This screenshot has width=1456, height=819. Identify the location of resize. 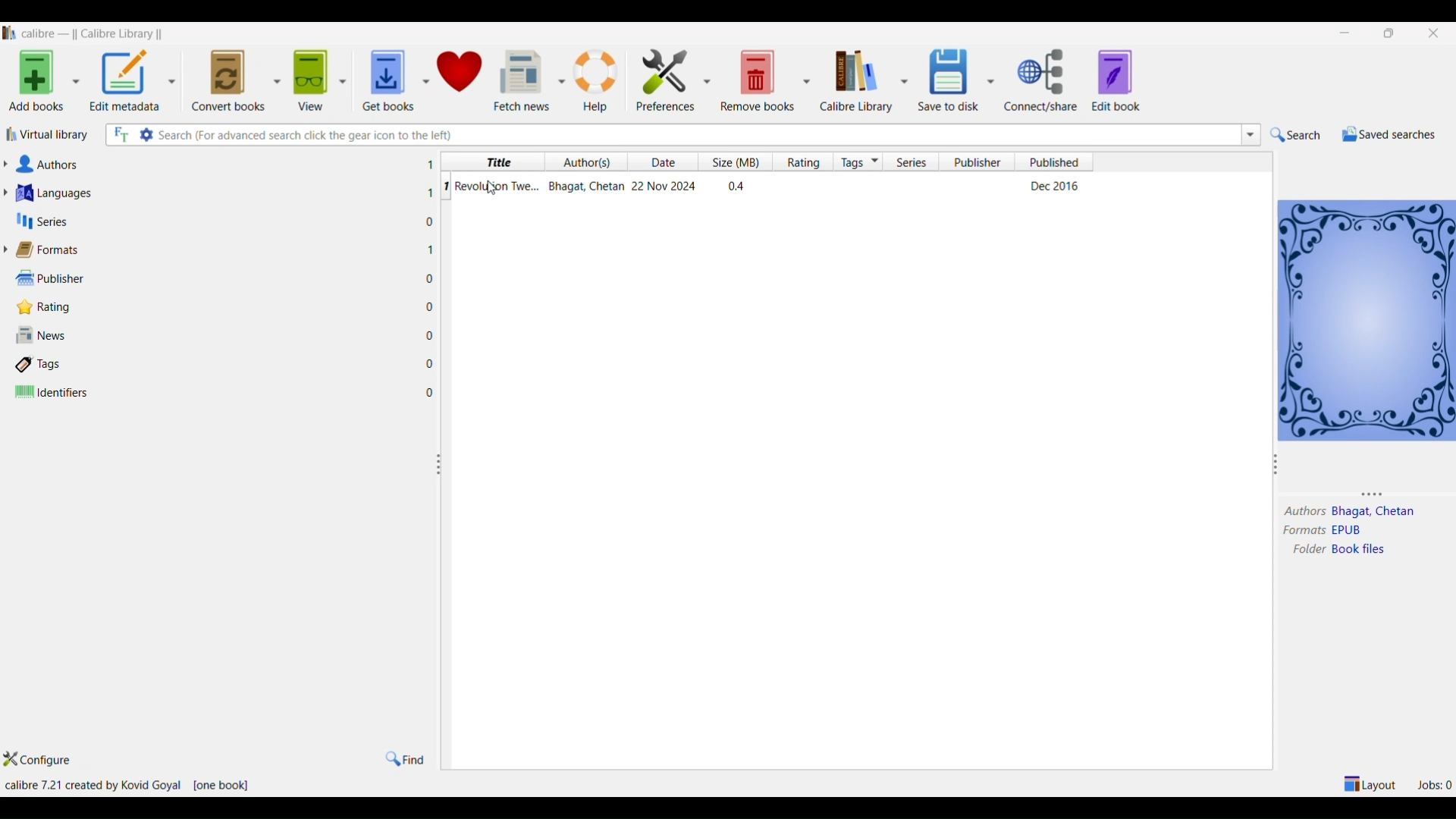
(438, 465).